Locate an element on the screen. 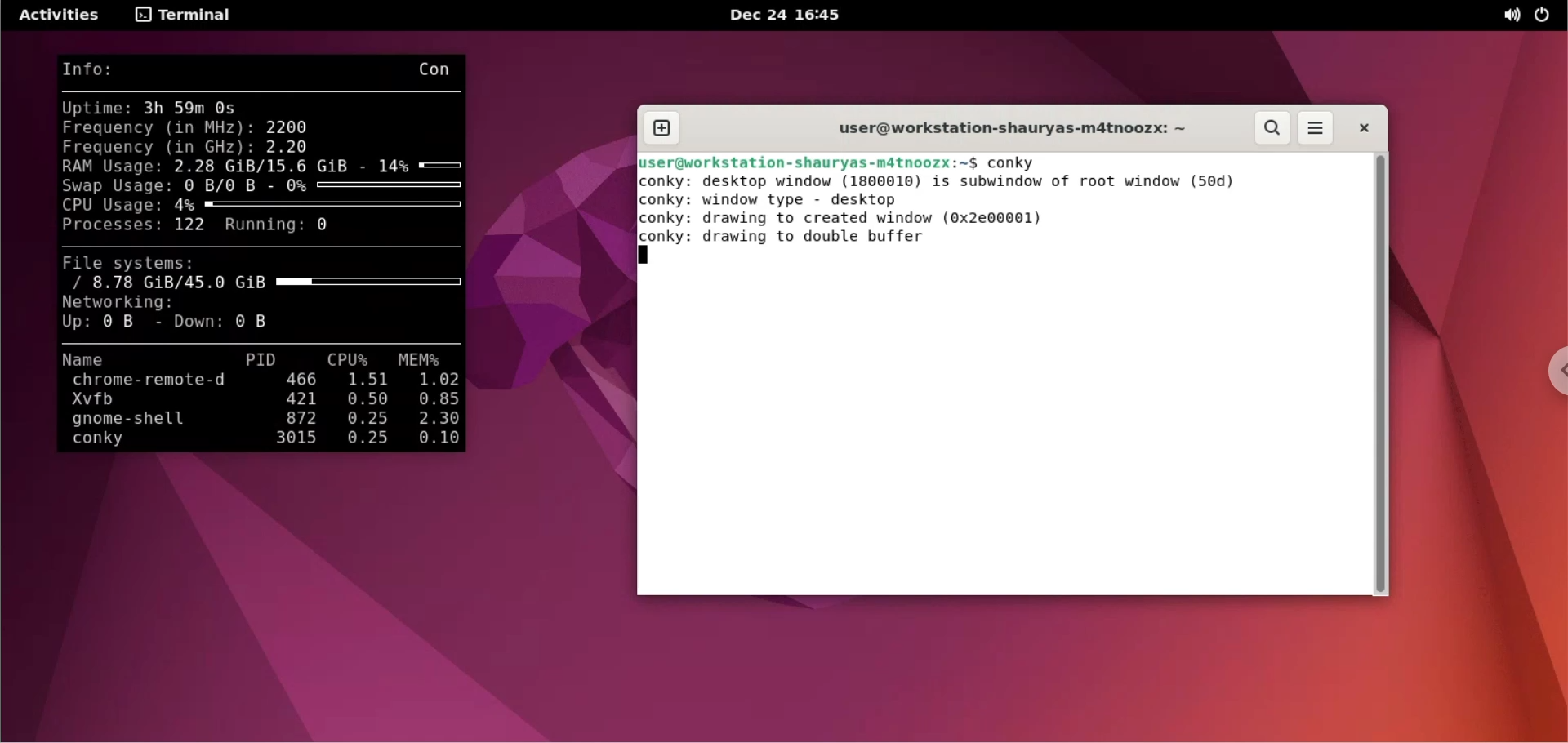 The height and width of the screenshot is (743, 1568). chrome options is located at coordinates (1554, 374).